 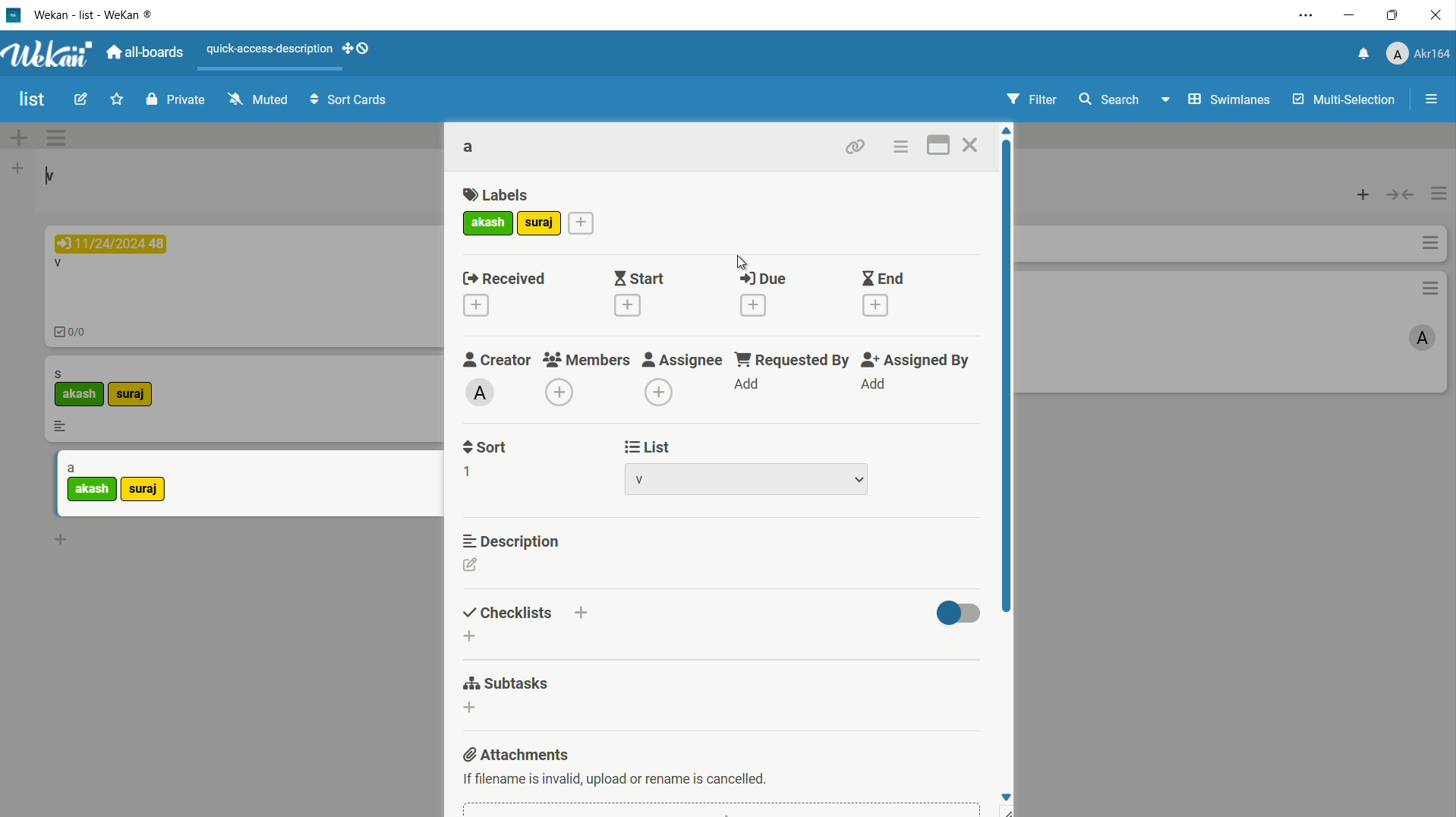 I want to click on filter, so click(x=1029, y=100).